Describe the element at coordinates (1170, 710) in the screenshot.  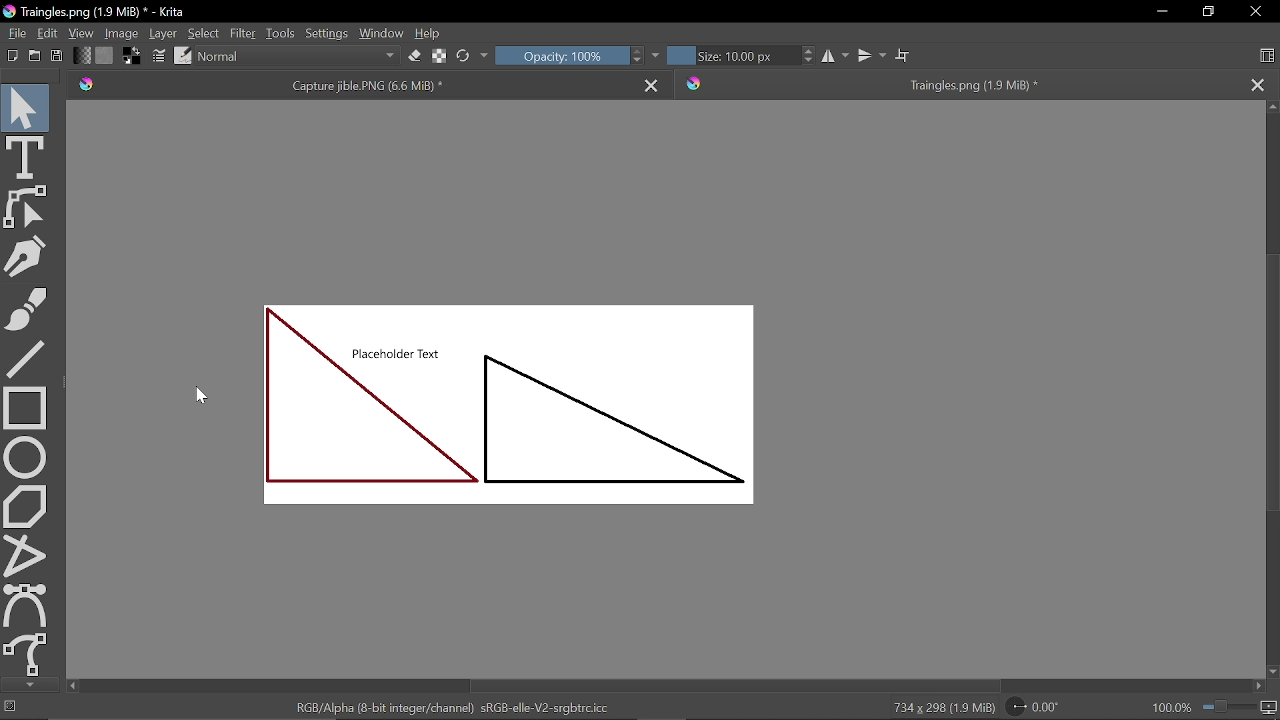
I see `100` at that location.